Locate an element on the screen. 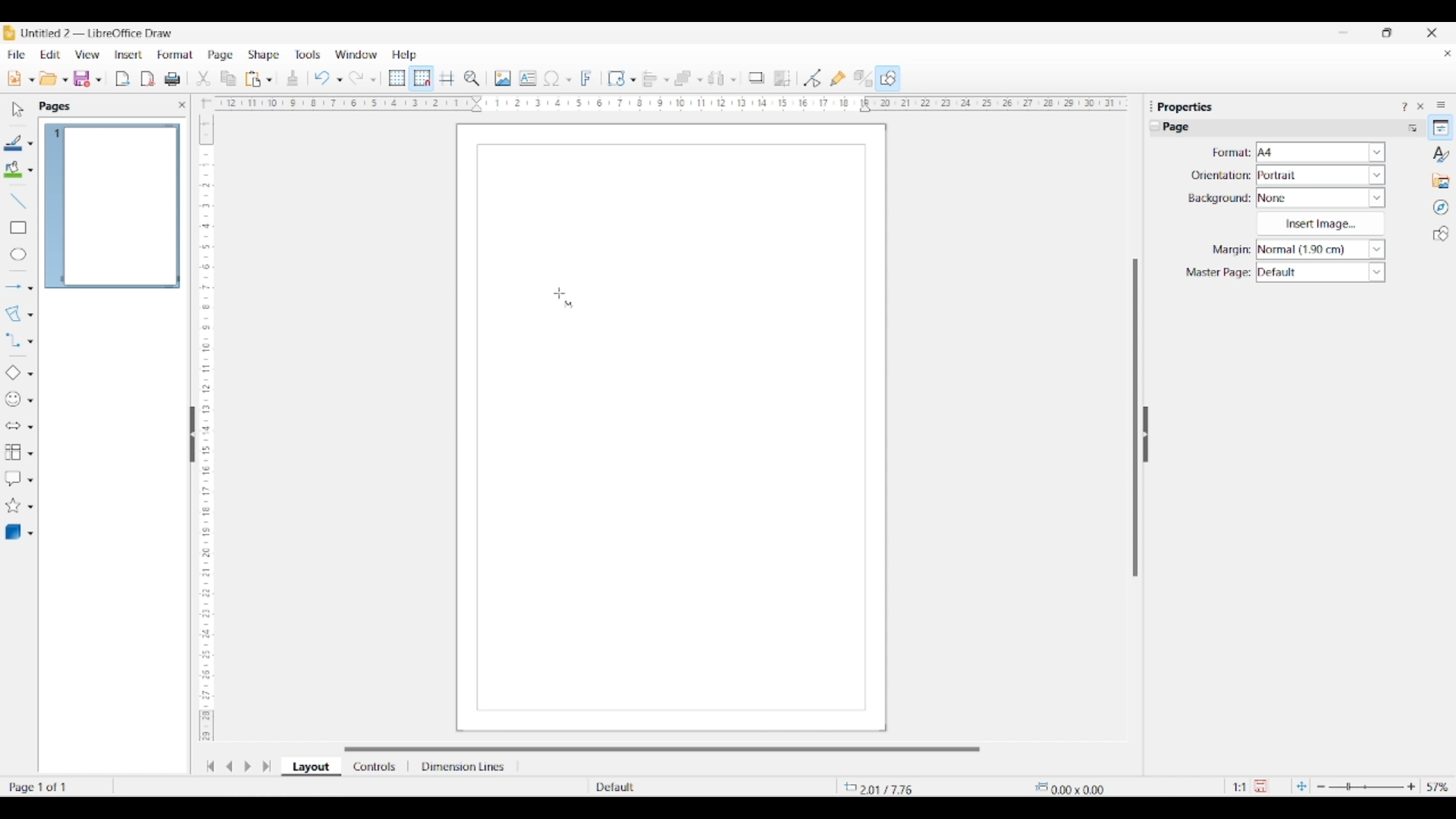 This screenshot has width=1456, height=819. Redo last action is located at coordinates (356, 78).